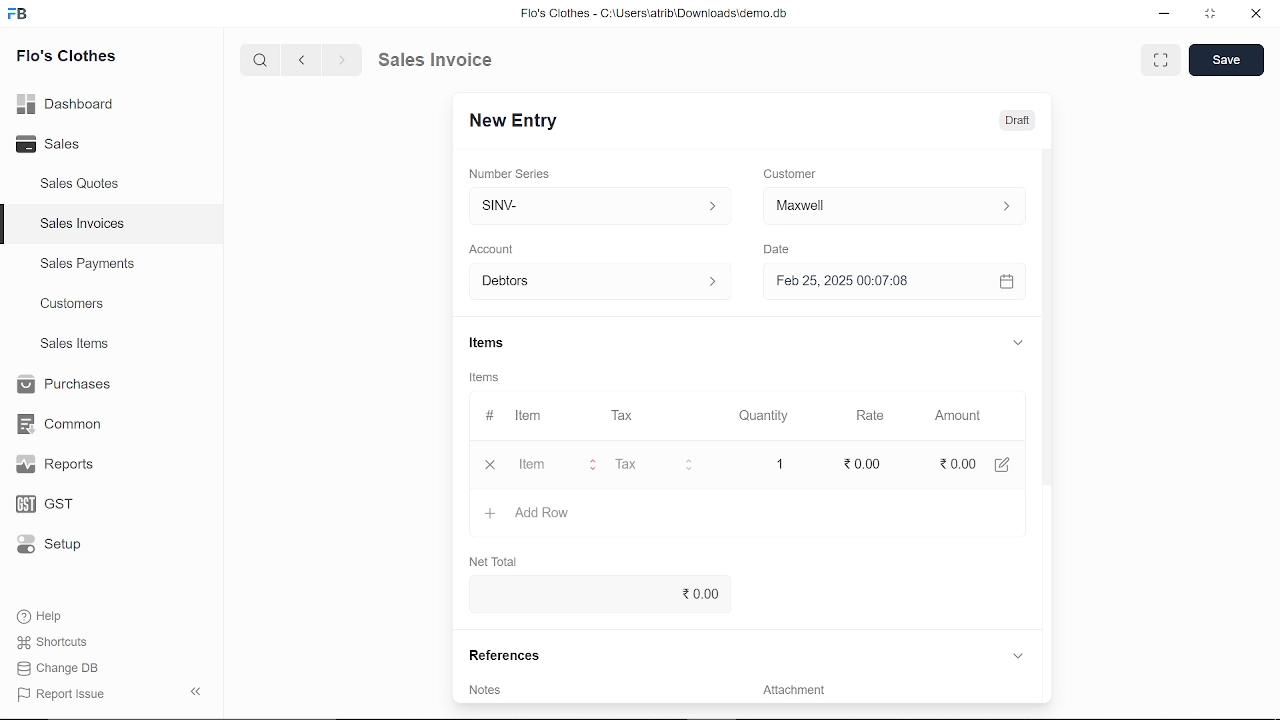 This screenshot has width=1280, height=720. I want to click on Draft, so click(1021, 118).